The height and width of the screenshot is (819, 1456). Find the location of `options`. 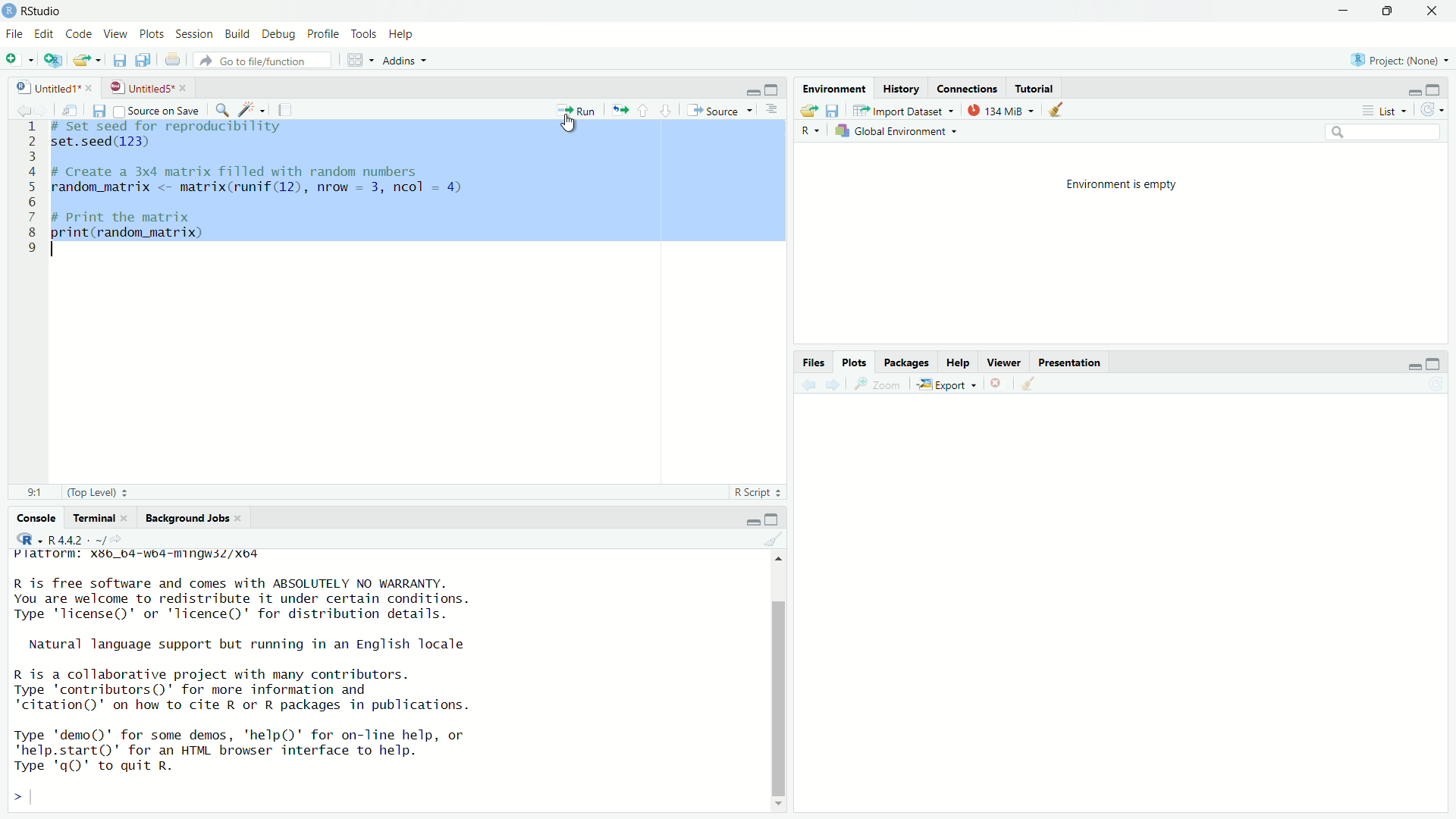

options is located at coordinates (771, 111).